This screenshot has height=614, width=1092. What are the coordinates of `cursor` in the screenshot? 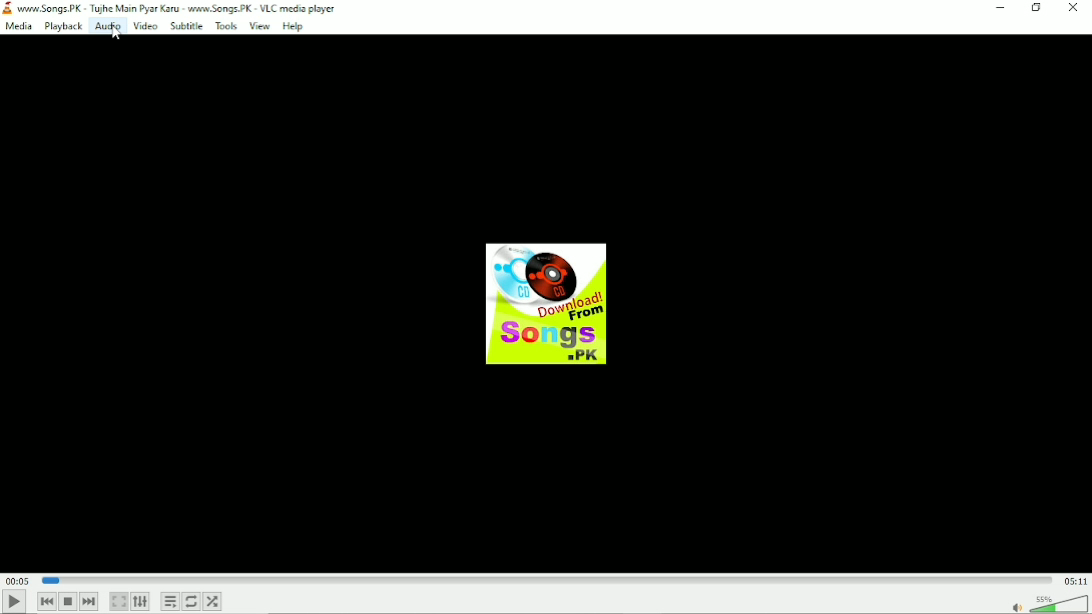 It's located at (115, 33).